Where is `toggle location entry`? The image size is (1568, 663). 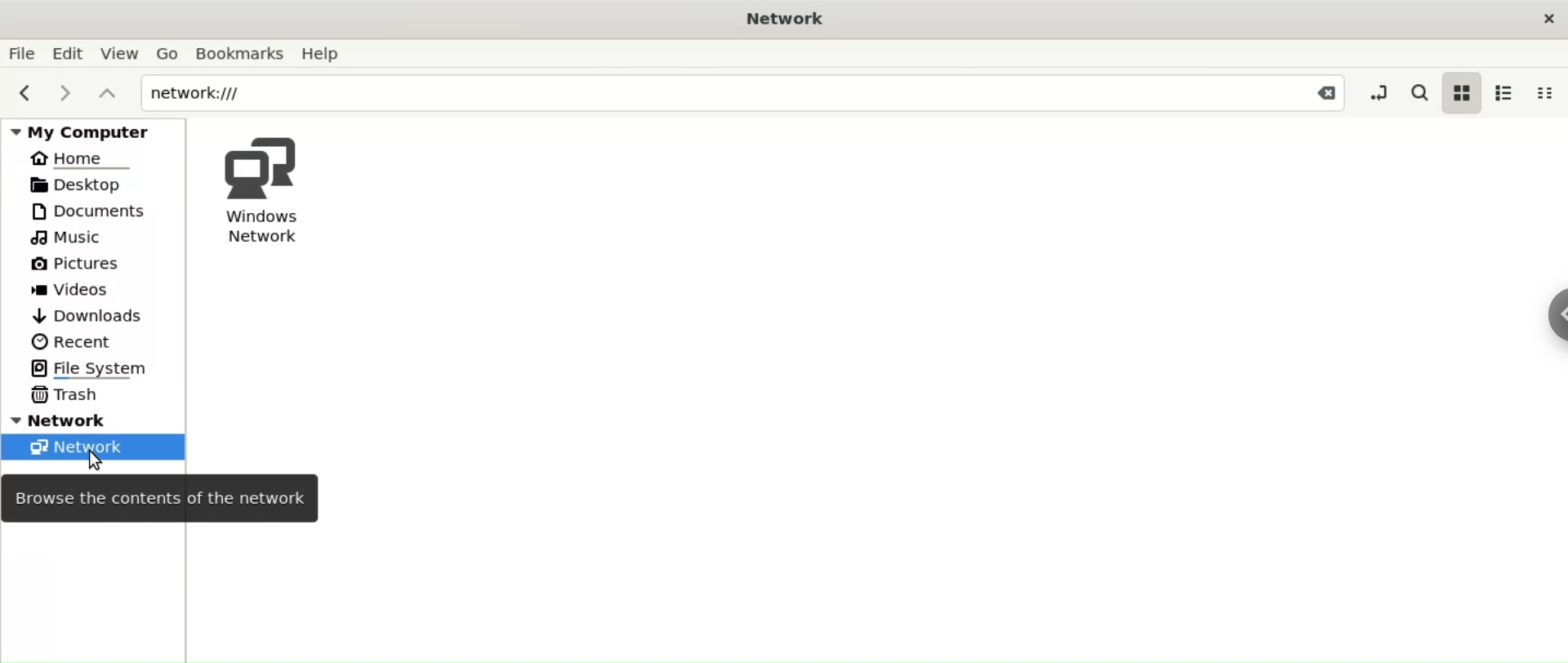 toggle location entry is located at coordinates (1379, 90).